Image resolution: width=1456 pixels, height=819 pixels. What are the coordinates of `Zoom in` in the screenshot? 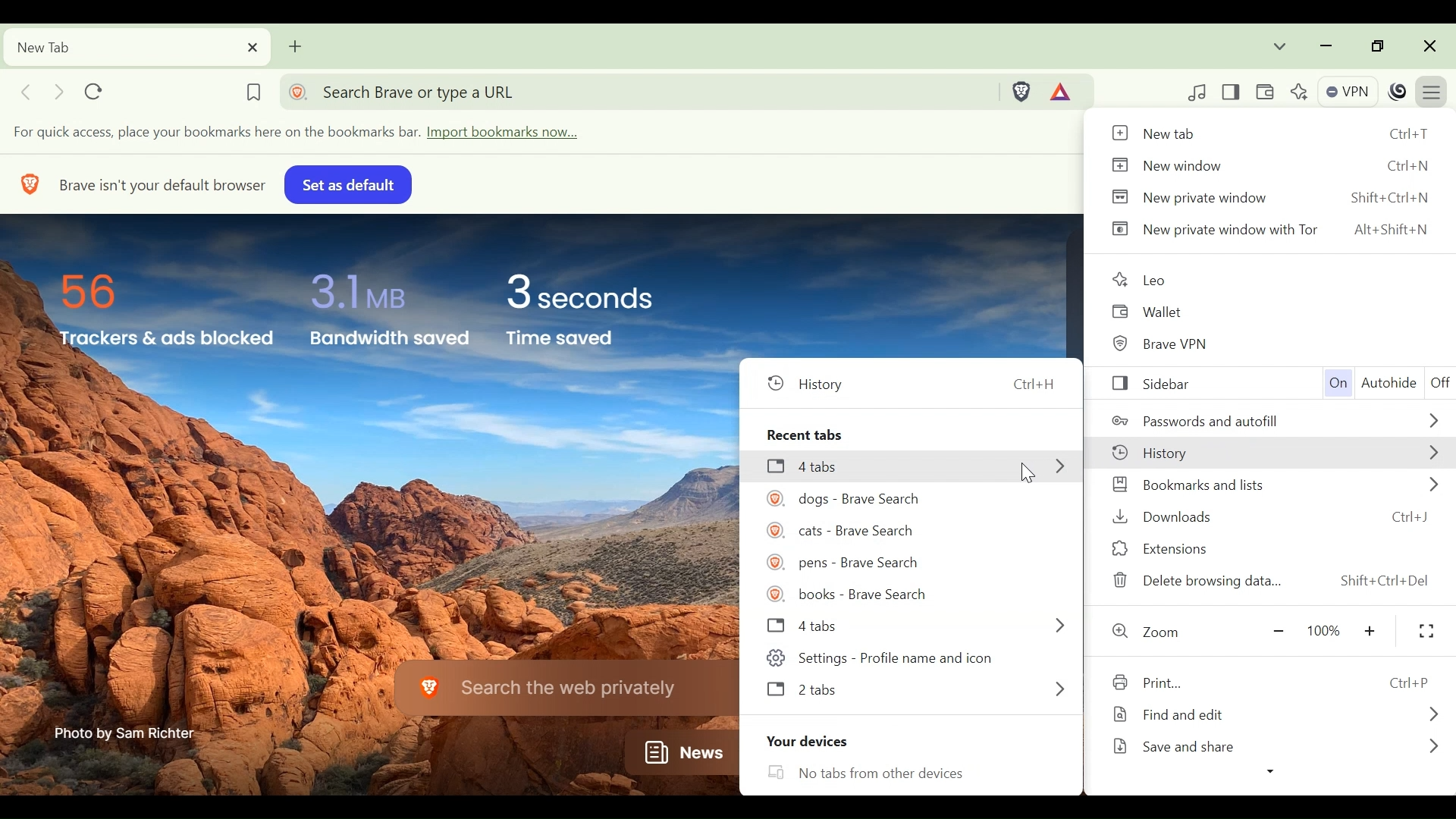 It's located at (1373, 631).